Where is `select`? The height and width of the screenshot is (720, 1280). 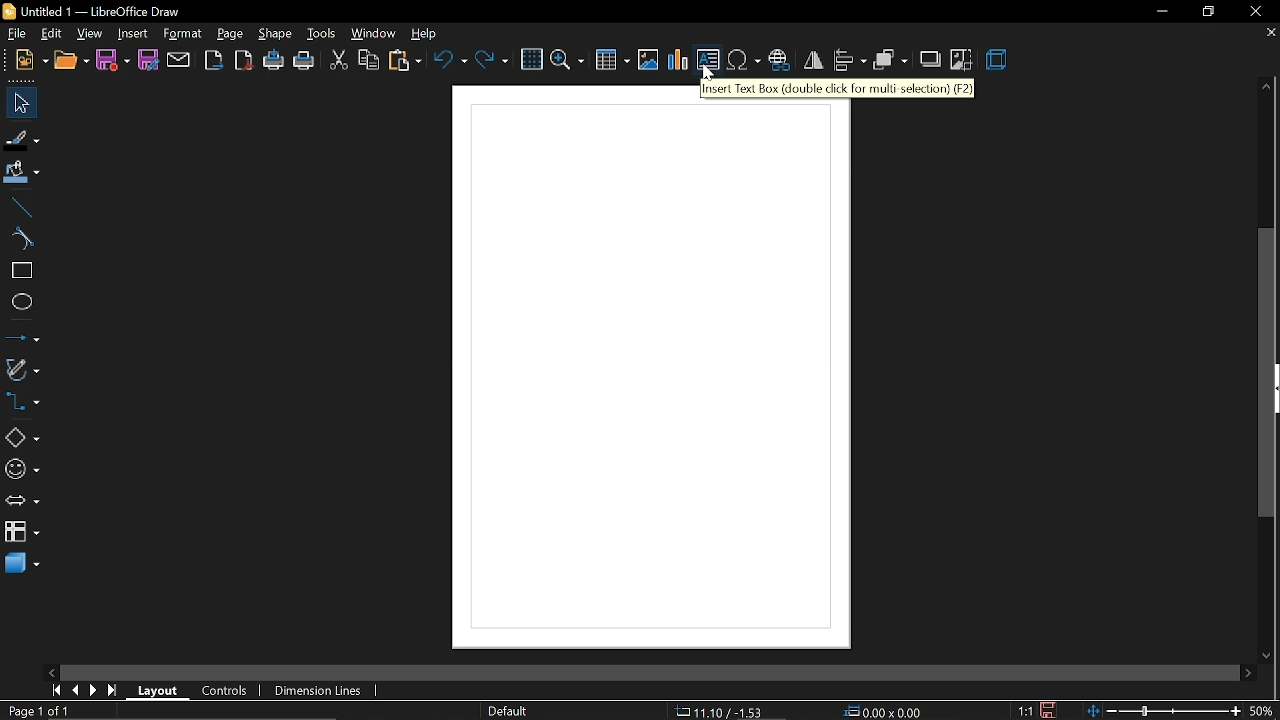
select is located at coordinates (18, 102).